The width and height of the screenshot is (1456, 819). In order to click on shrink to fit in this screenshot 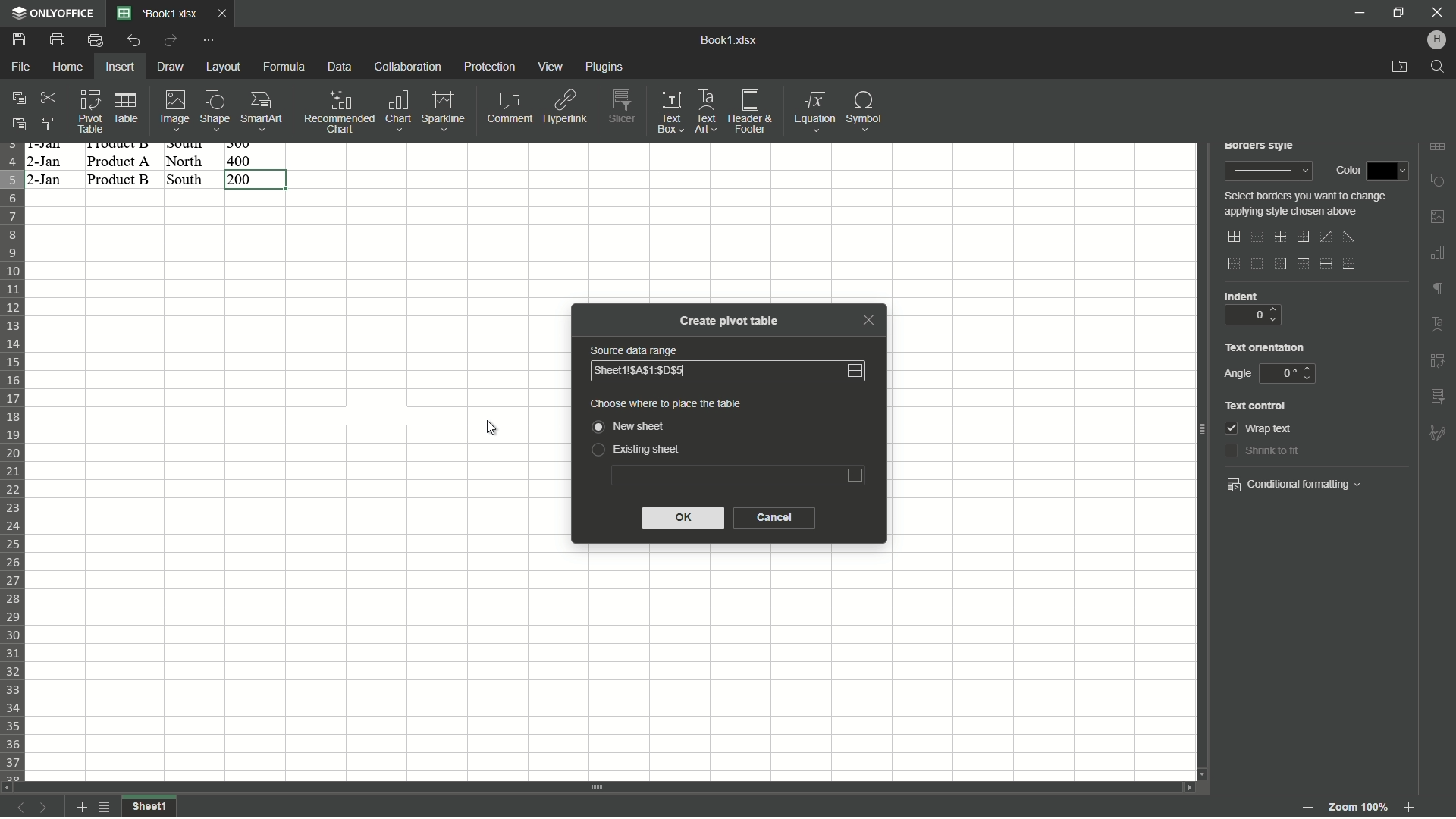, I will do `click(1262, 450)`.